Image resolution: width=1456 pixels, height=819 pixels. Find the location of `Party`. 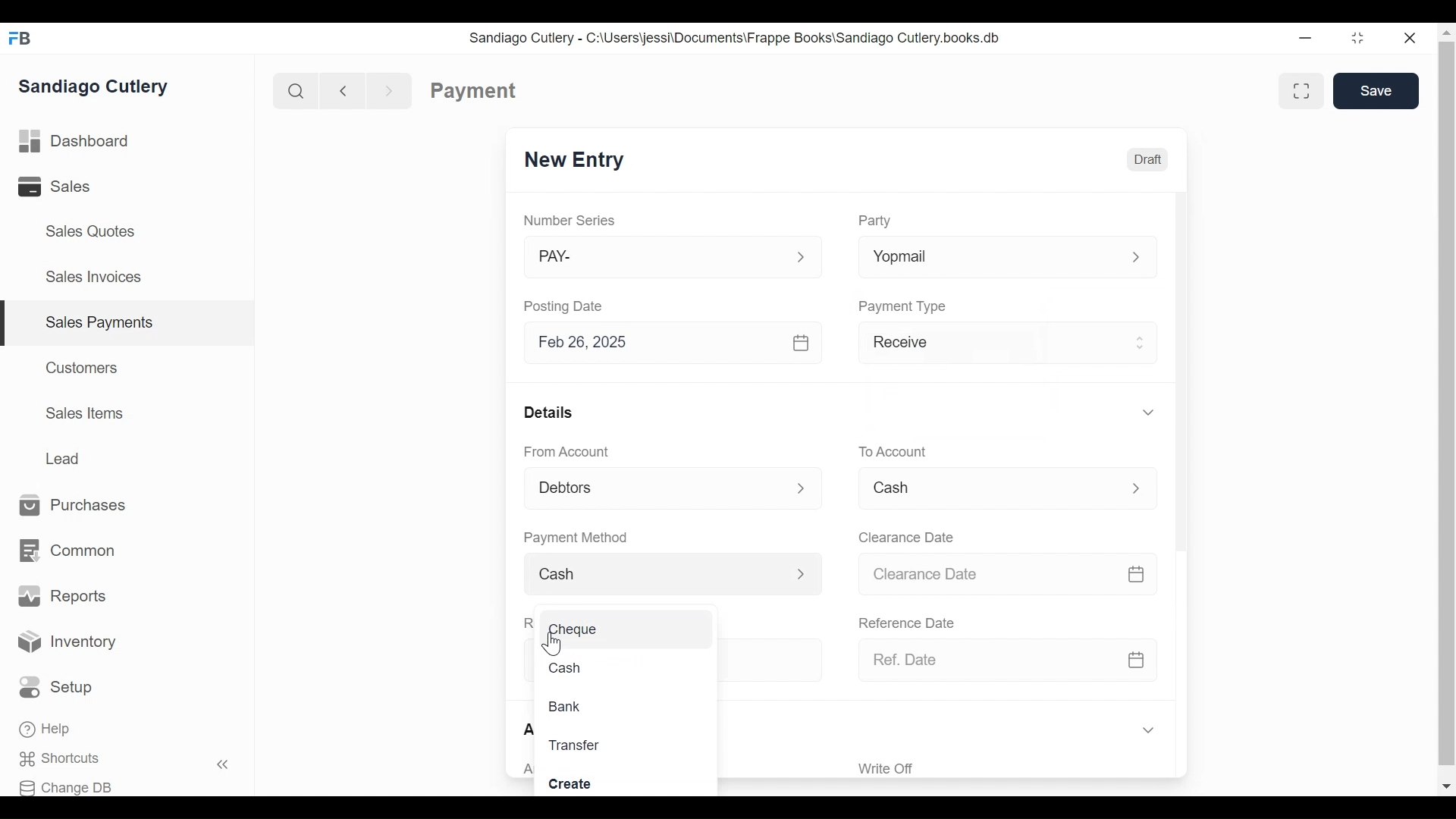

Party is located at coordinates (877, 221).